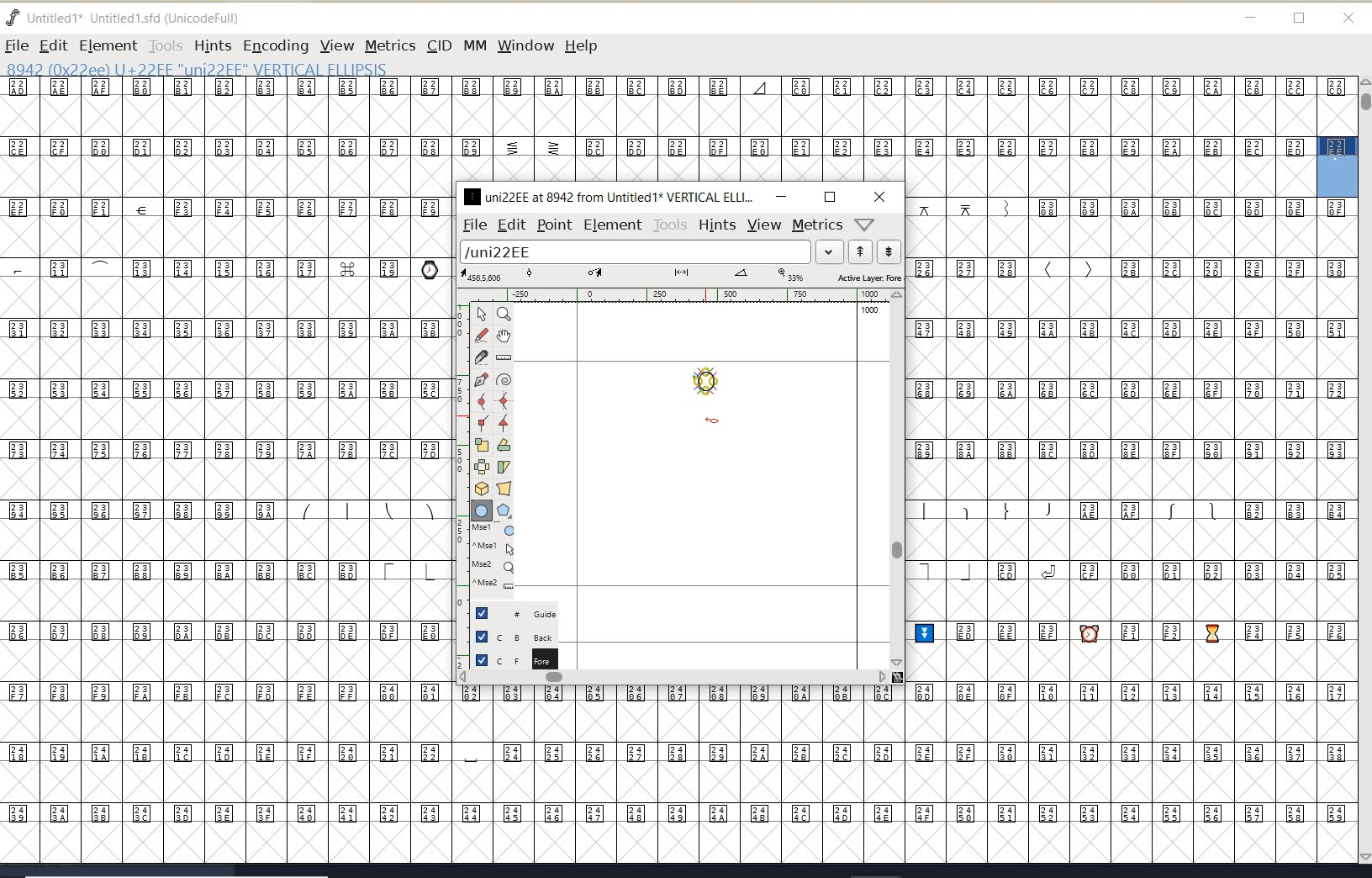 The image size is (1372, 878). What do you see at coordinates (276, 46) in the screenshot?
I see `ENCODING` at bounding box center [276, 46].